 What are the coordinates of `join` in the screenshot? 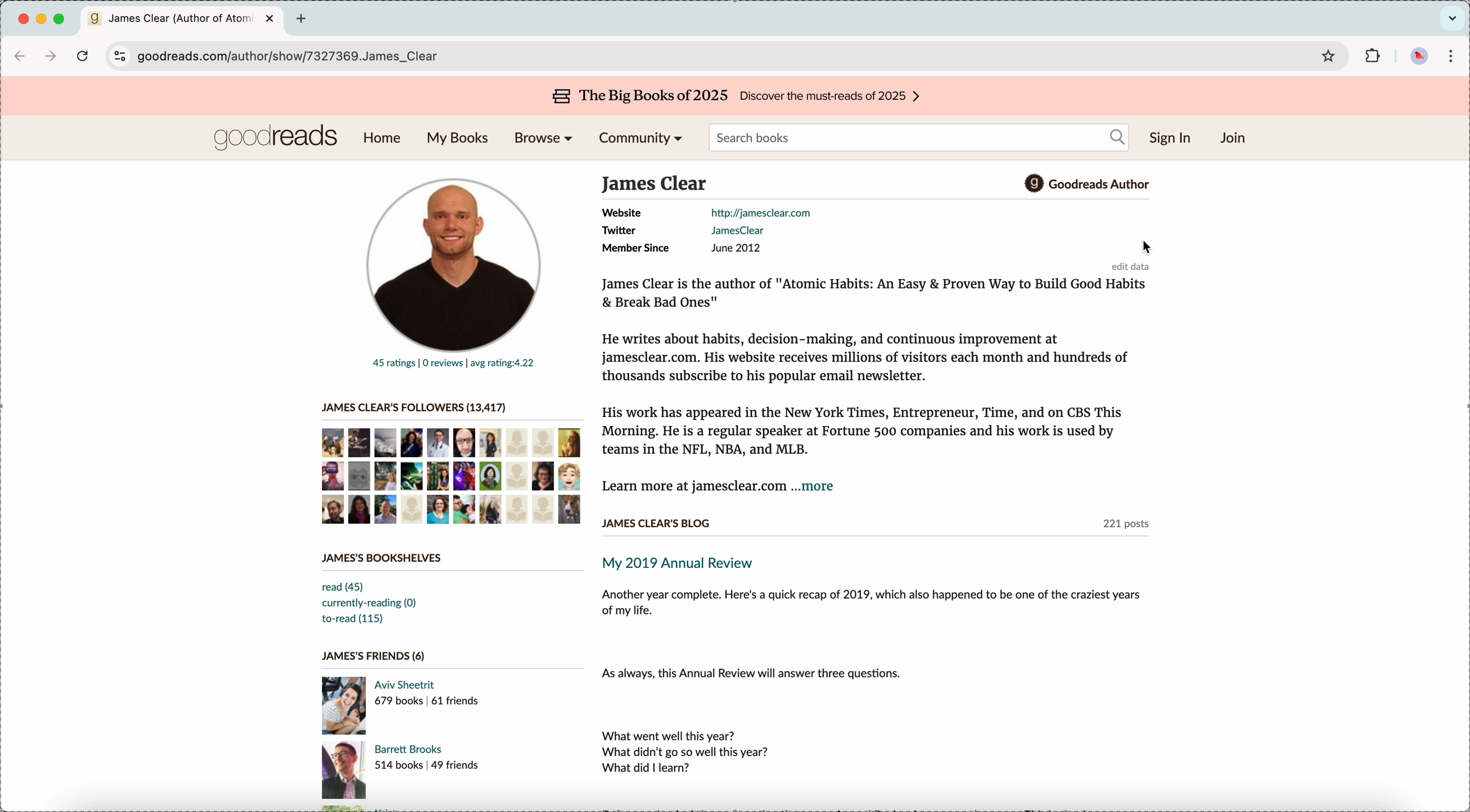 It's located at (1235, 139).